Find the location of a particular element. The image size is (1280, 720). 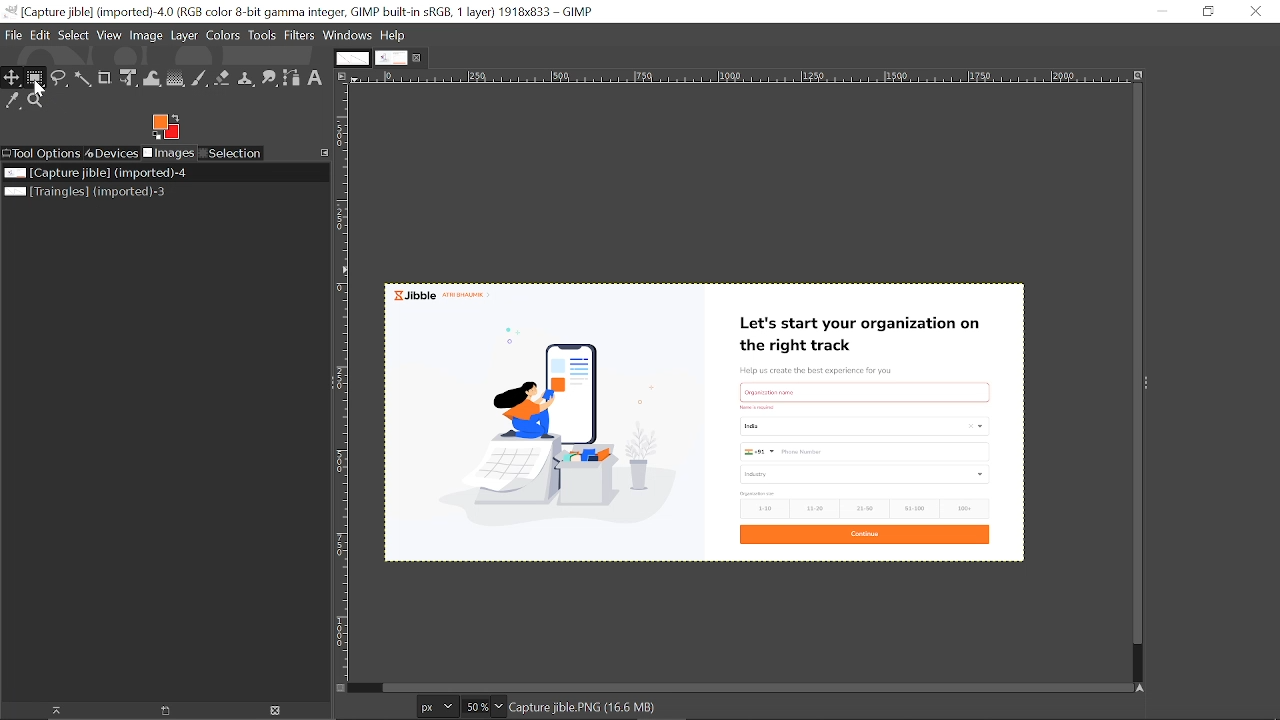

The active foreground color is located at coordinates (165, 127).